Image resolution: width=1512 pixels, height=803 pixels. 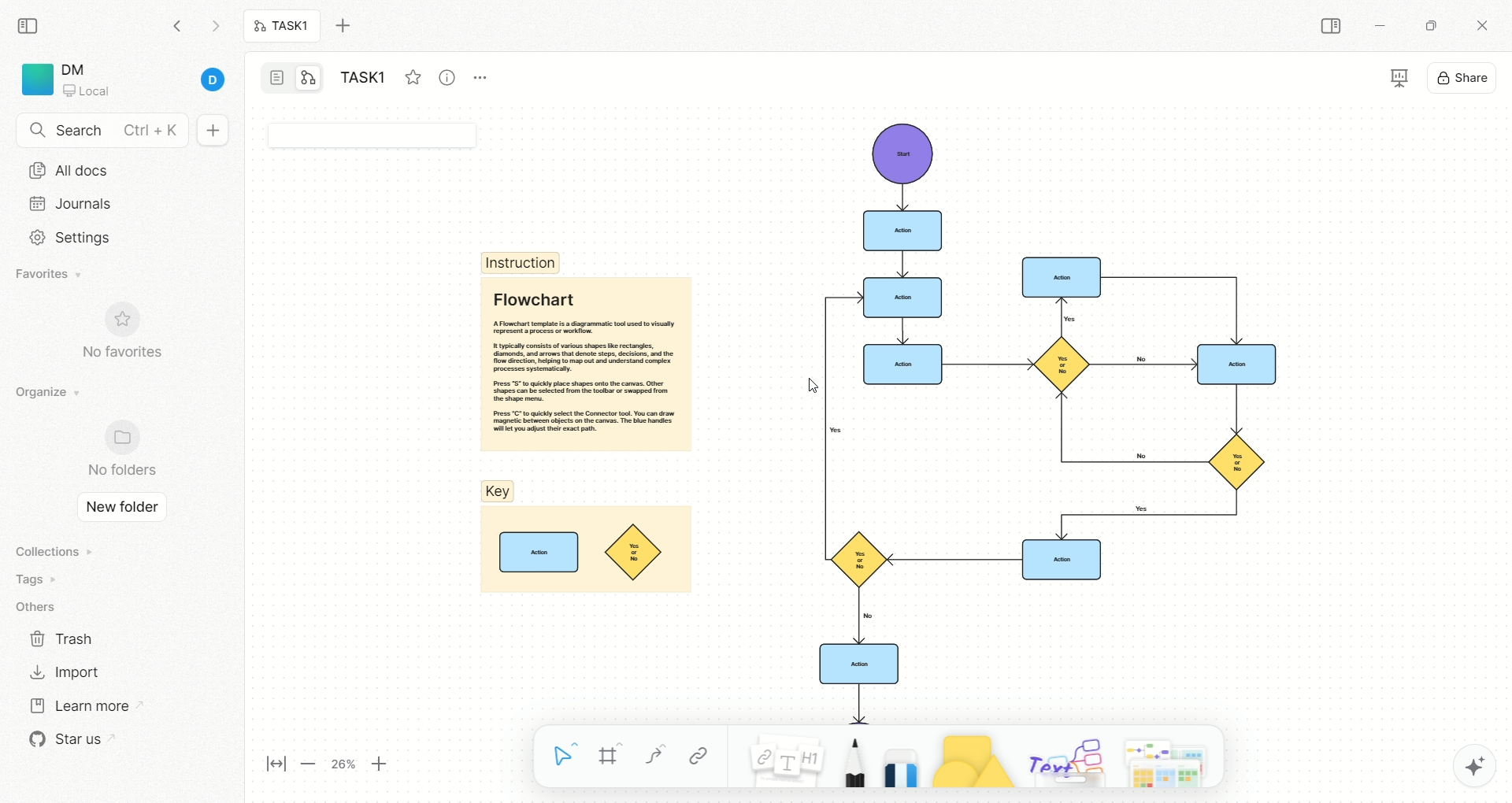 I want to click on favorites, so click(x=51, y=276).